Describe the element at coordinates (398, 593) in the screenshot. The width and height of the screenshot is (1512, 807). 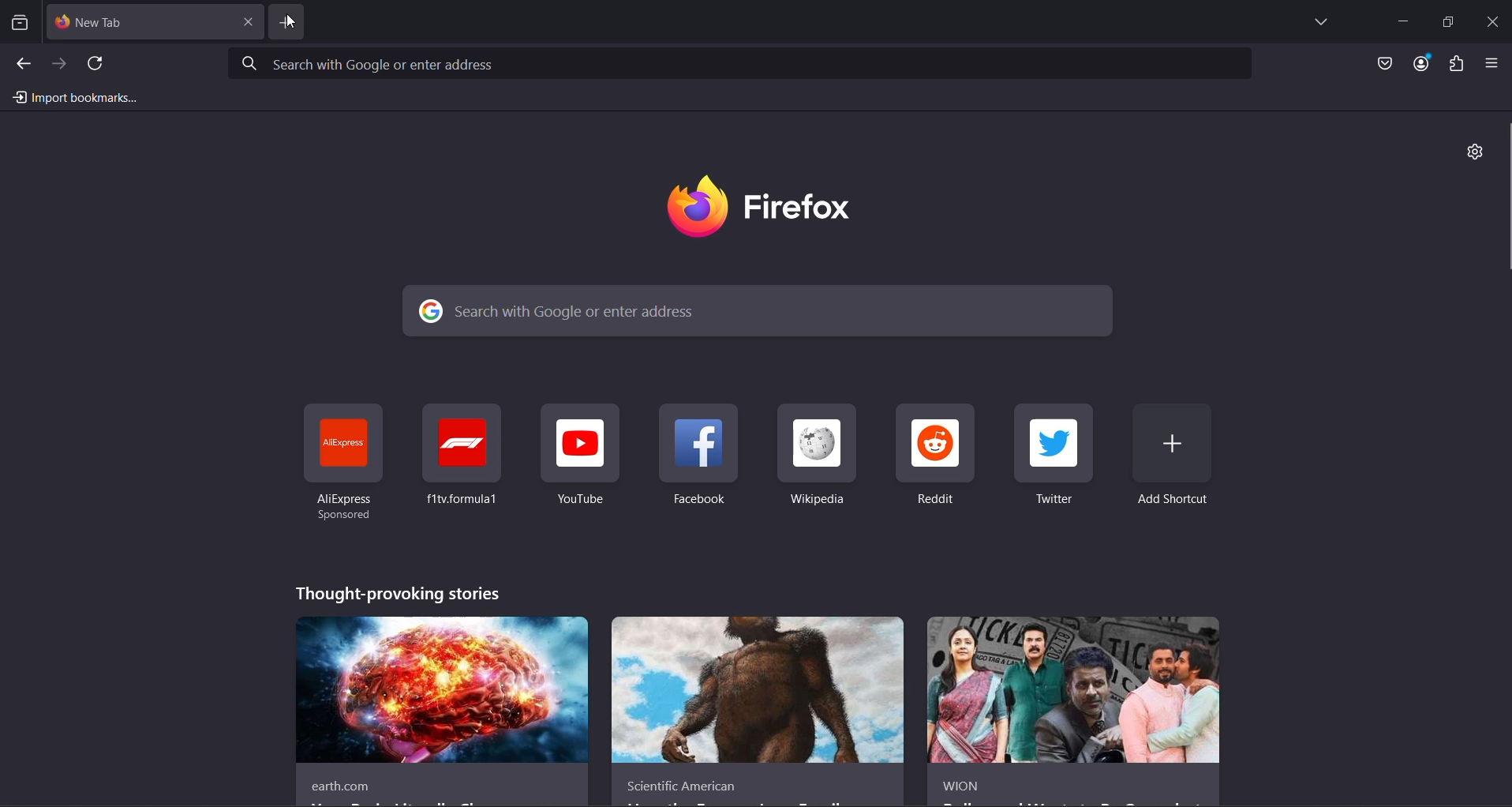
I see `thought-provoking stories` at that location.